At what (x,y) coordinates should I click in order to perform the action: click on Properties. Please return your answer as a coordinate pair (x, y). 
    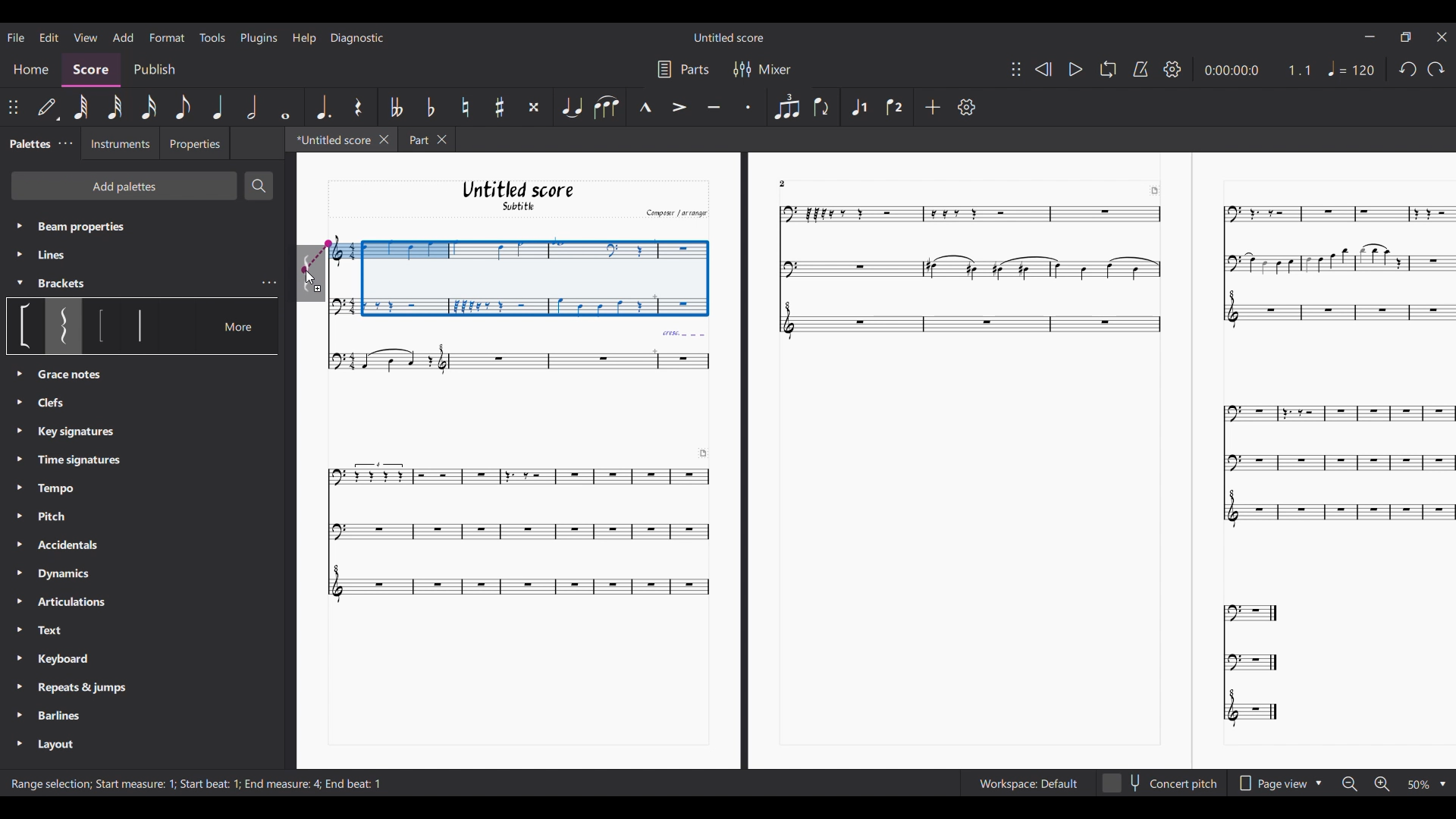
    Looking at the image, I should click on (194, 143).